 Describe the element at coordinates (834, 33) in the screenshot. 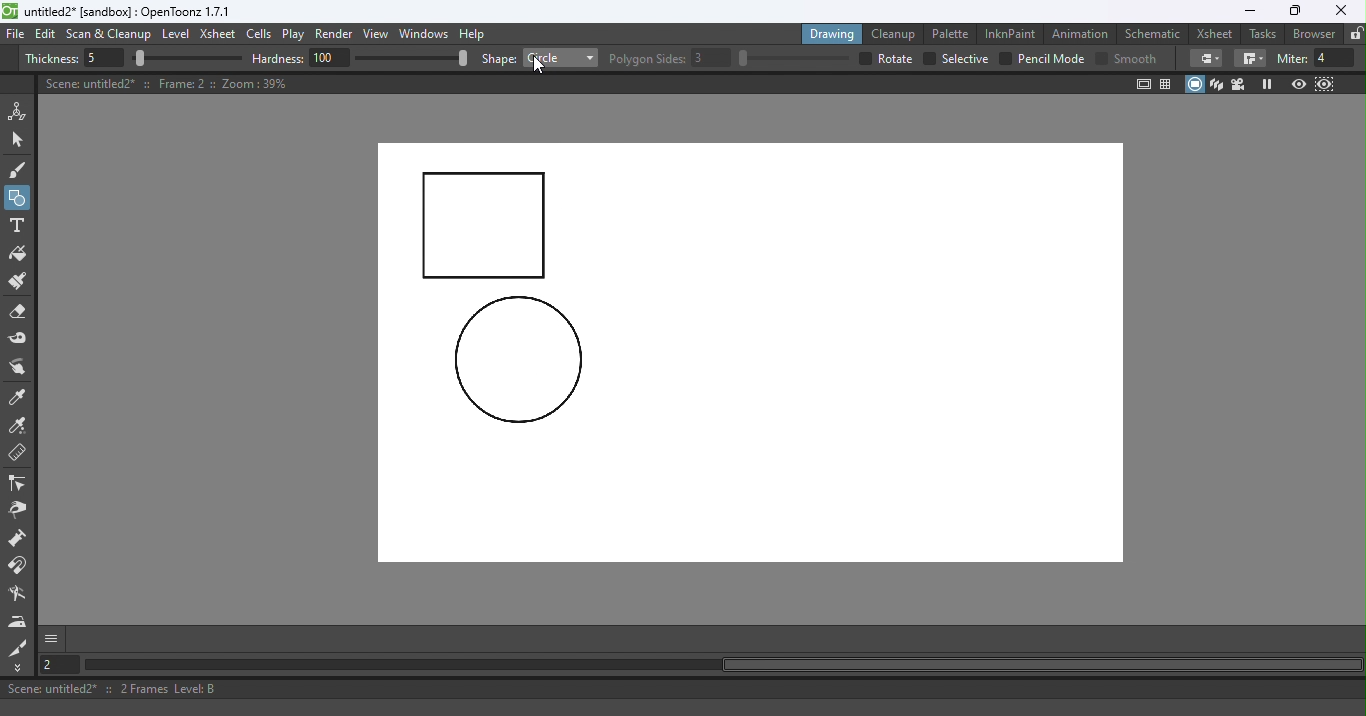

I see `Drawing` at that location.